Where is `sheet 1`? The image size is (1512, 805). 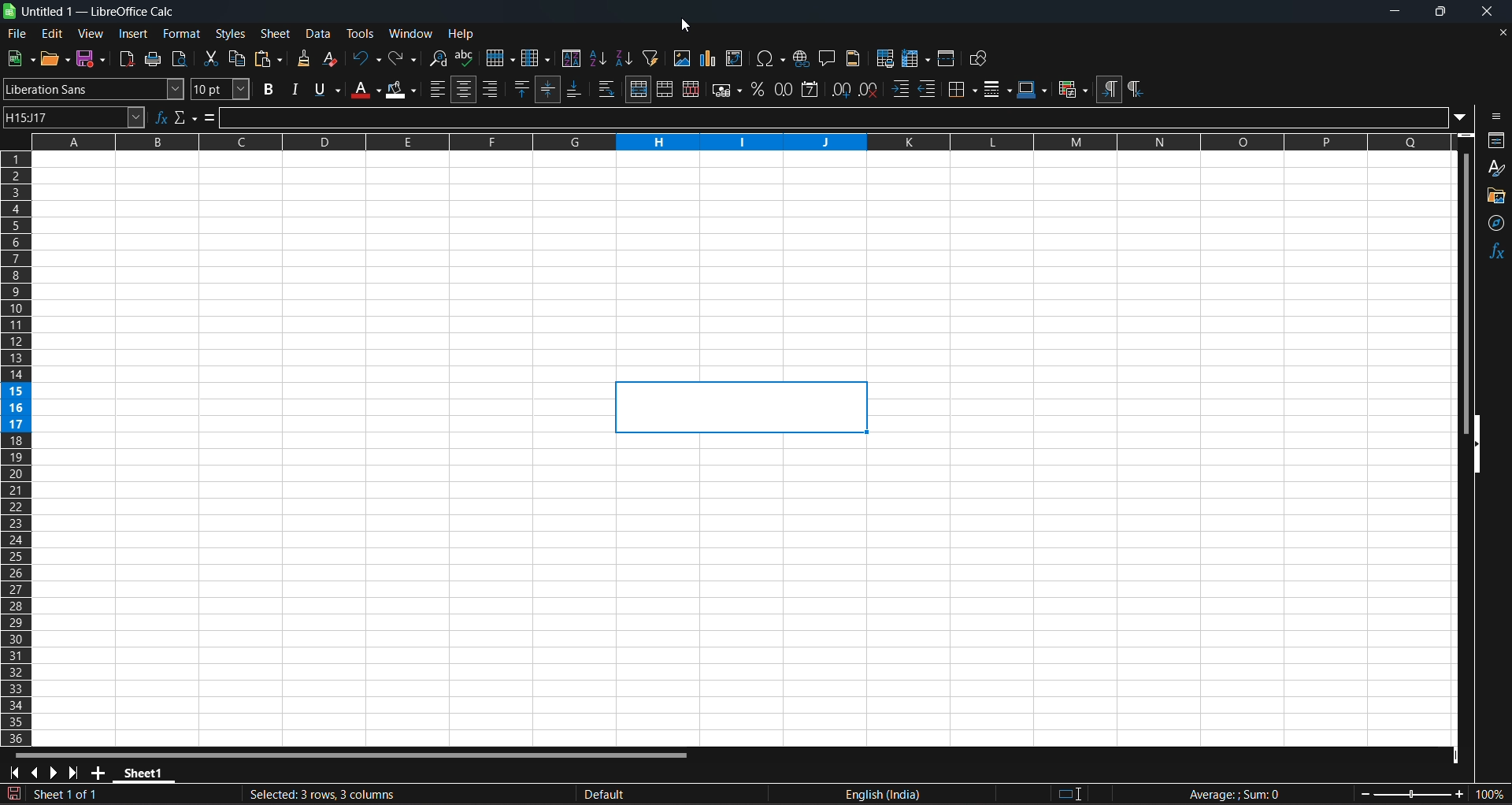 sheet 1 is located at coordinates (146, 774).